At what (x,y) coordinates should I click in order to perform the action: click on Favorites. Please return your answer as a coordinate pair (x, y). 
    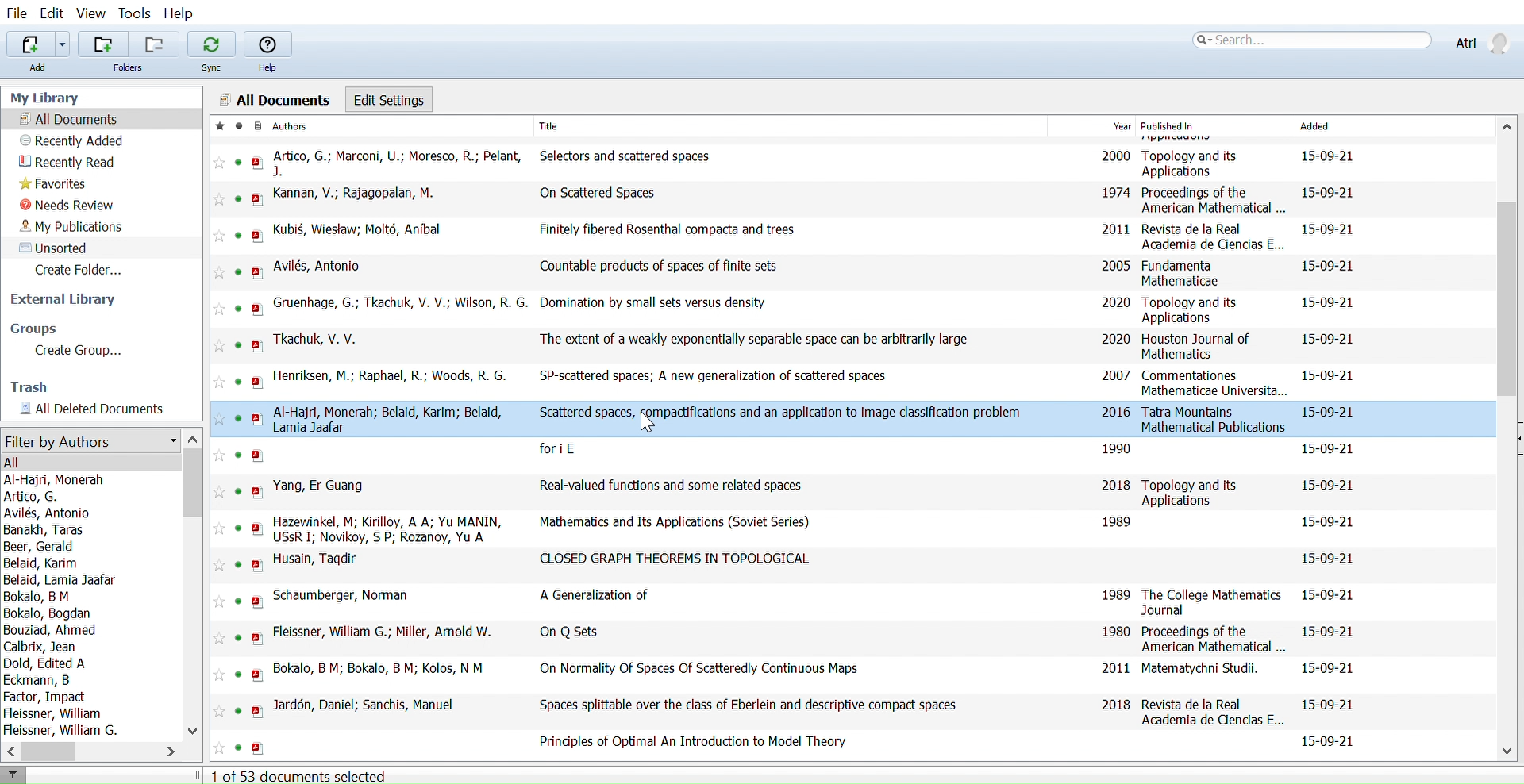
    Looking at the image, I should click on (67, 184).